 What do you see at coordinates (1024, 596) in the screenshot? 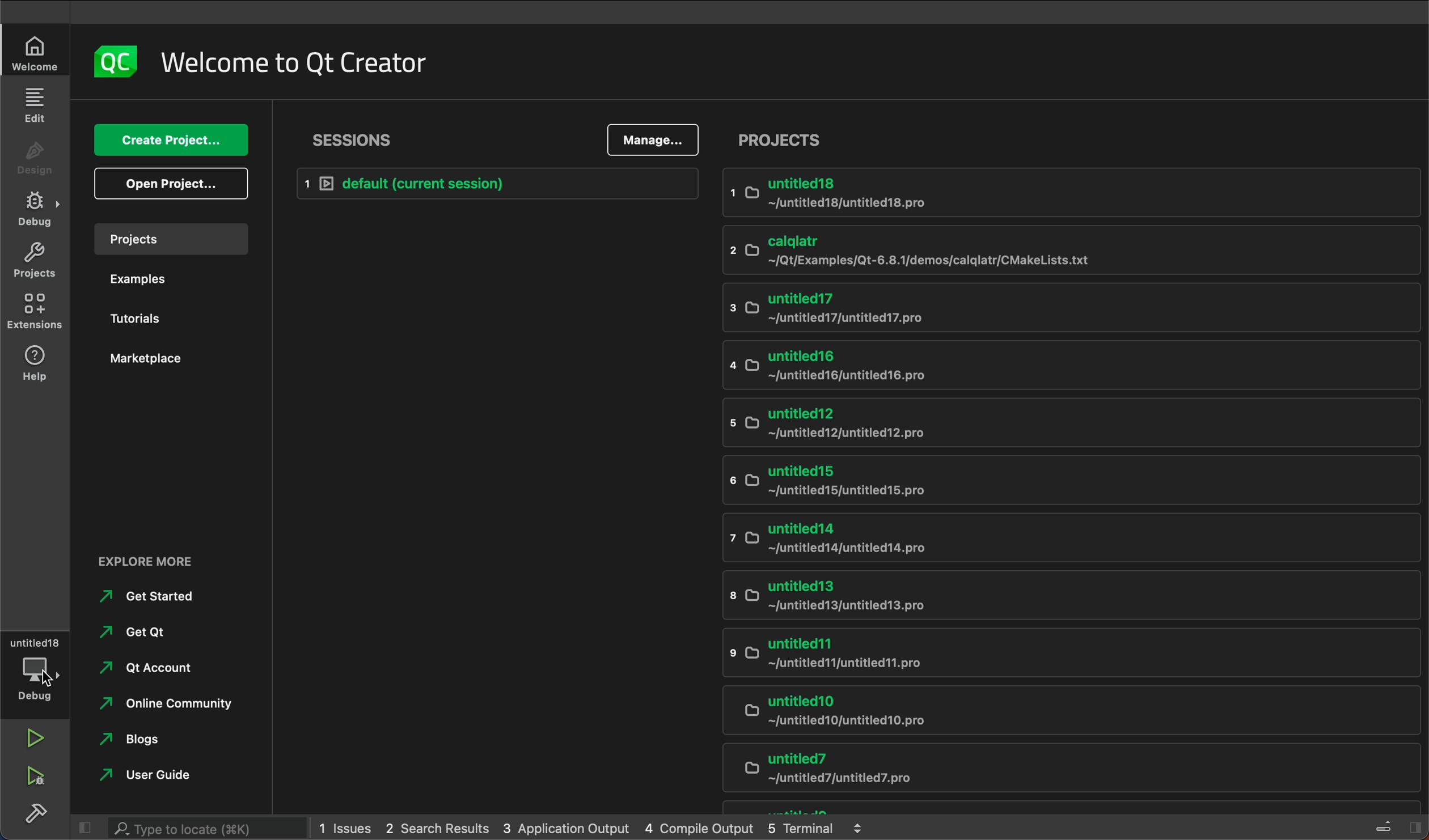
I see `untitled 13` at bounding box center [1024, 596].